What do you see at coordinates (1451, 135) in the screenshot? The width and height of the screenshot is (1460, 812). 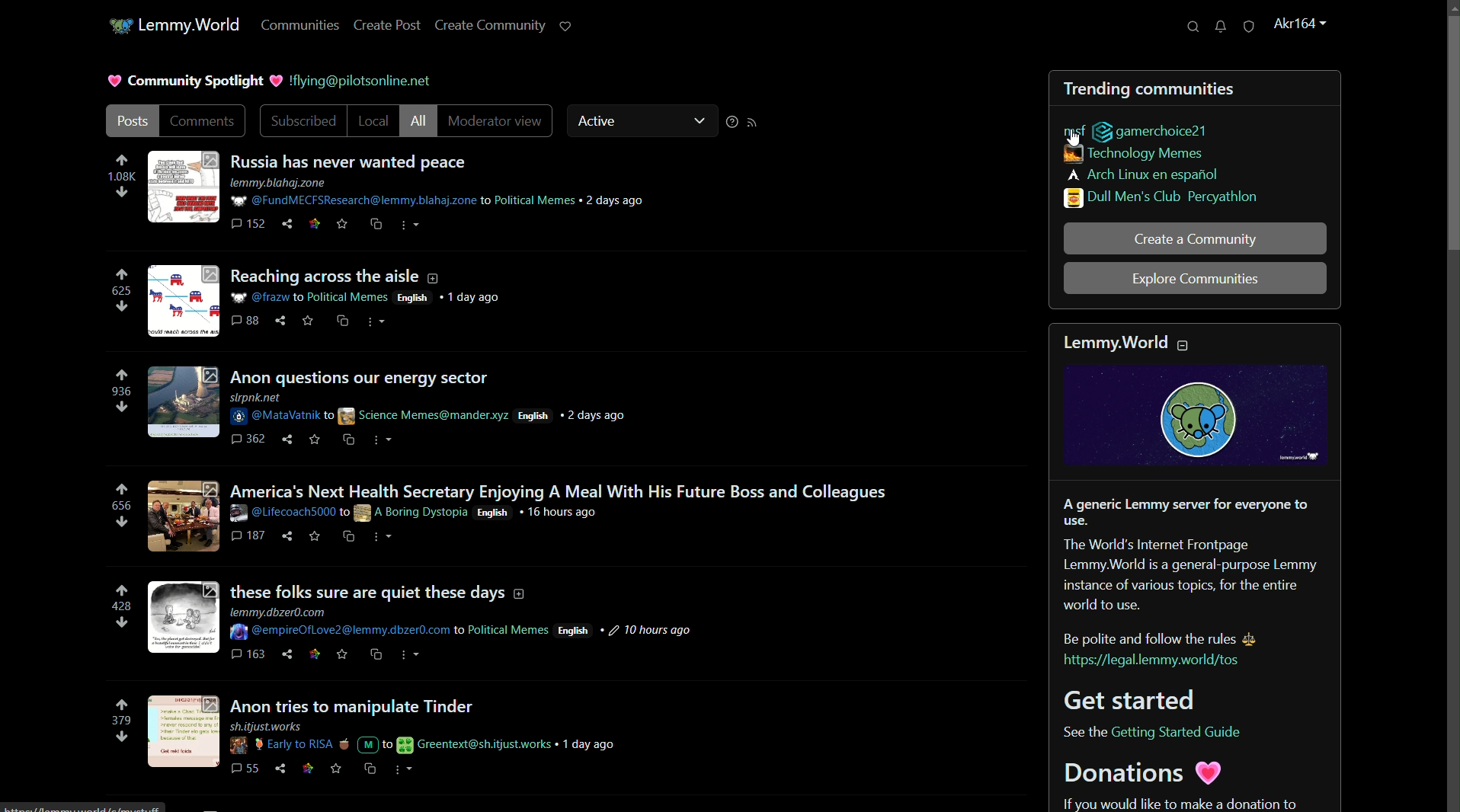 I see `scroll bar` at bounding box center [1451, 135].